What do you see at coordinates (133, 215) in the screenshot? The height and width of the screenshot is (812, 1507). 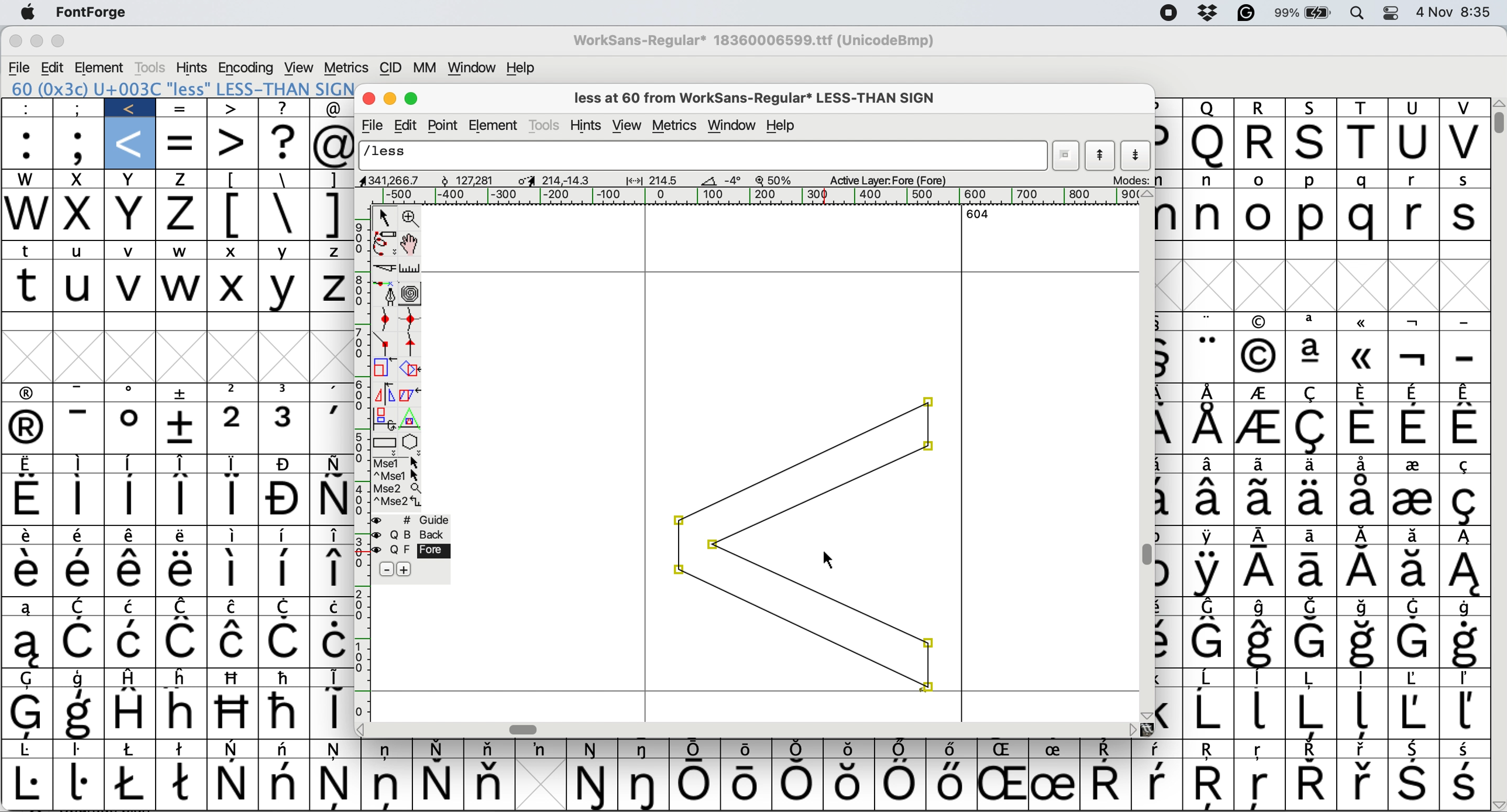 I see `x` at bounding box center [133, 215].